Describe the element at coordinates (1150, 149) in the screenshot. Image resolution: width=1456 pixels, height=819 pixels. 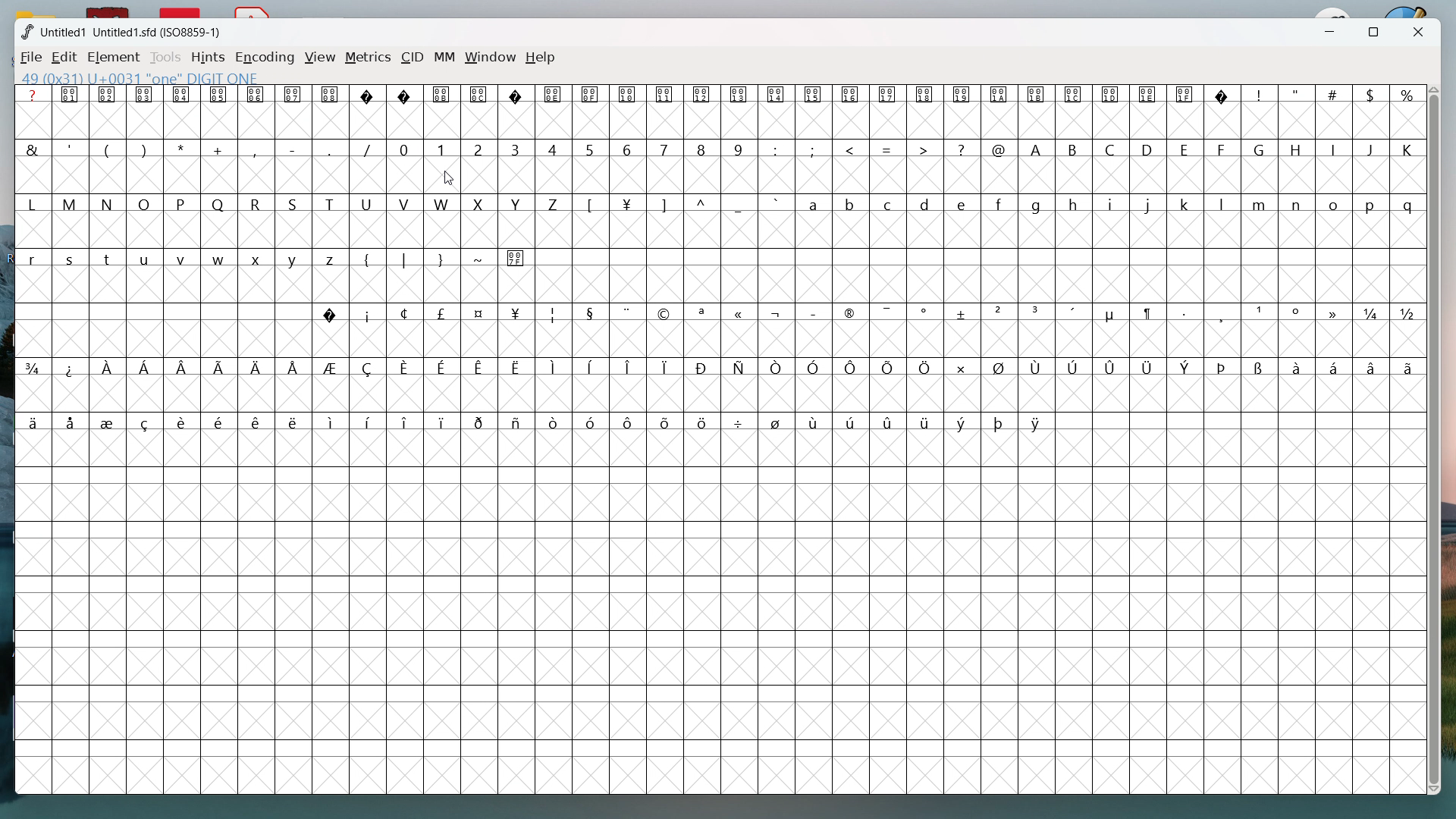
I see `D` at that location.